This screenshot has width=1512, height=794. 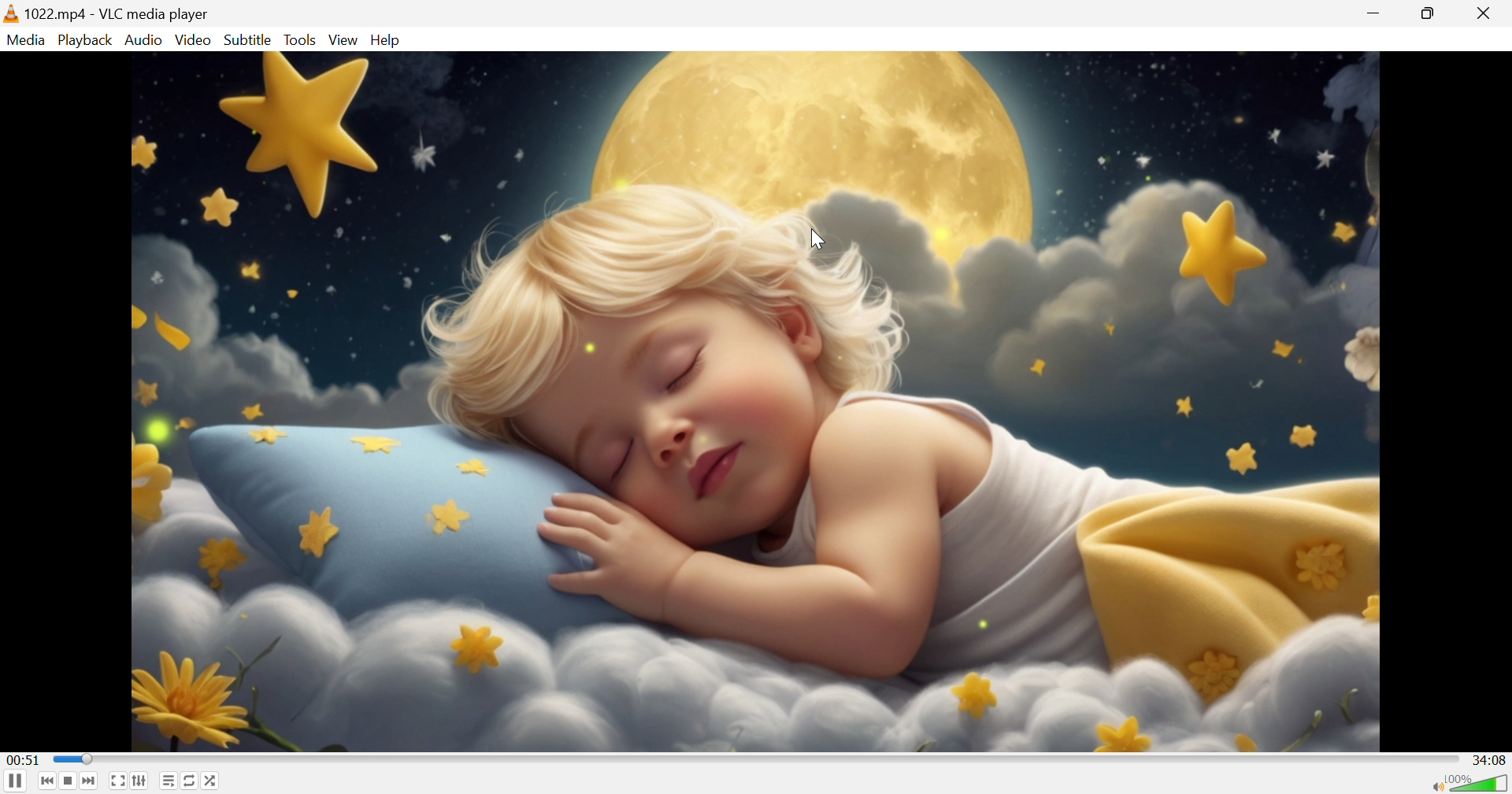 What do you see at coordinates (24, 759) in the screenshot?
I see `00:51` at bounding box center [24, 759].